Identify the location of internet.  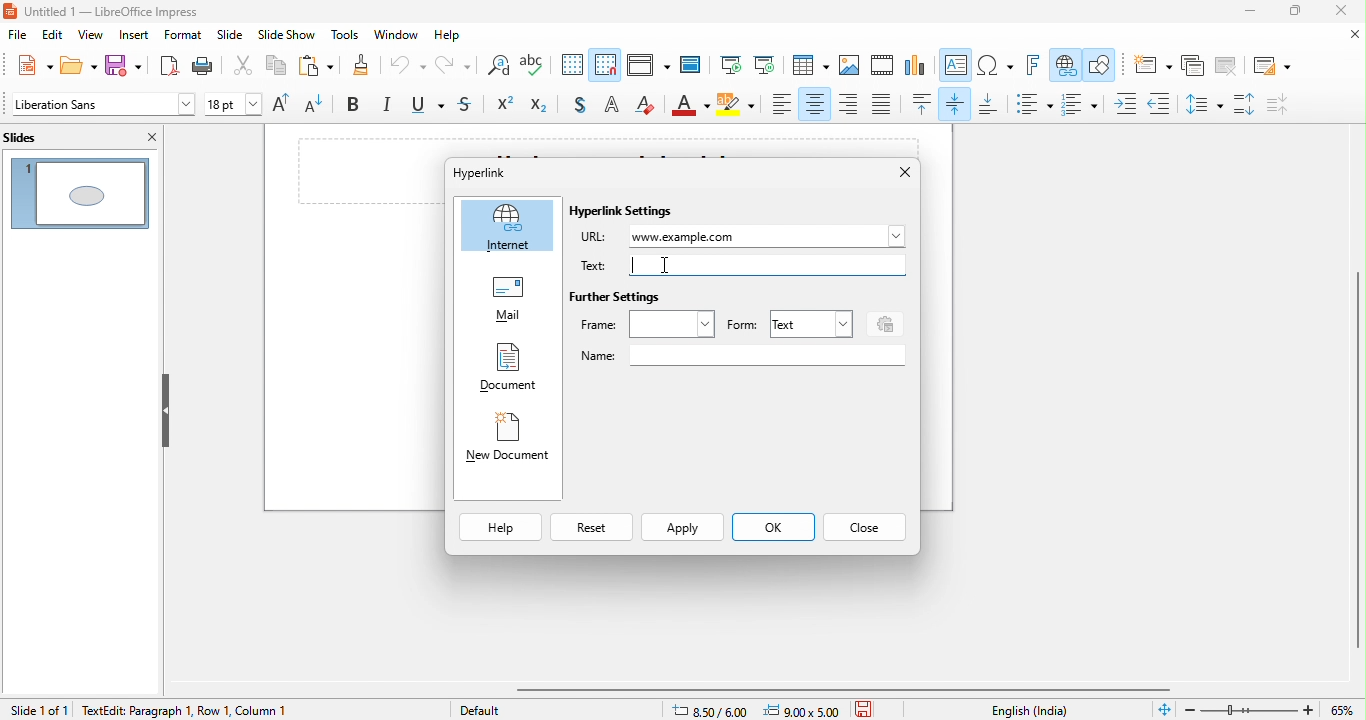
(508, 226).